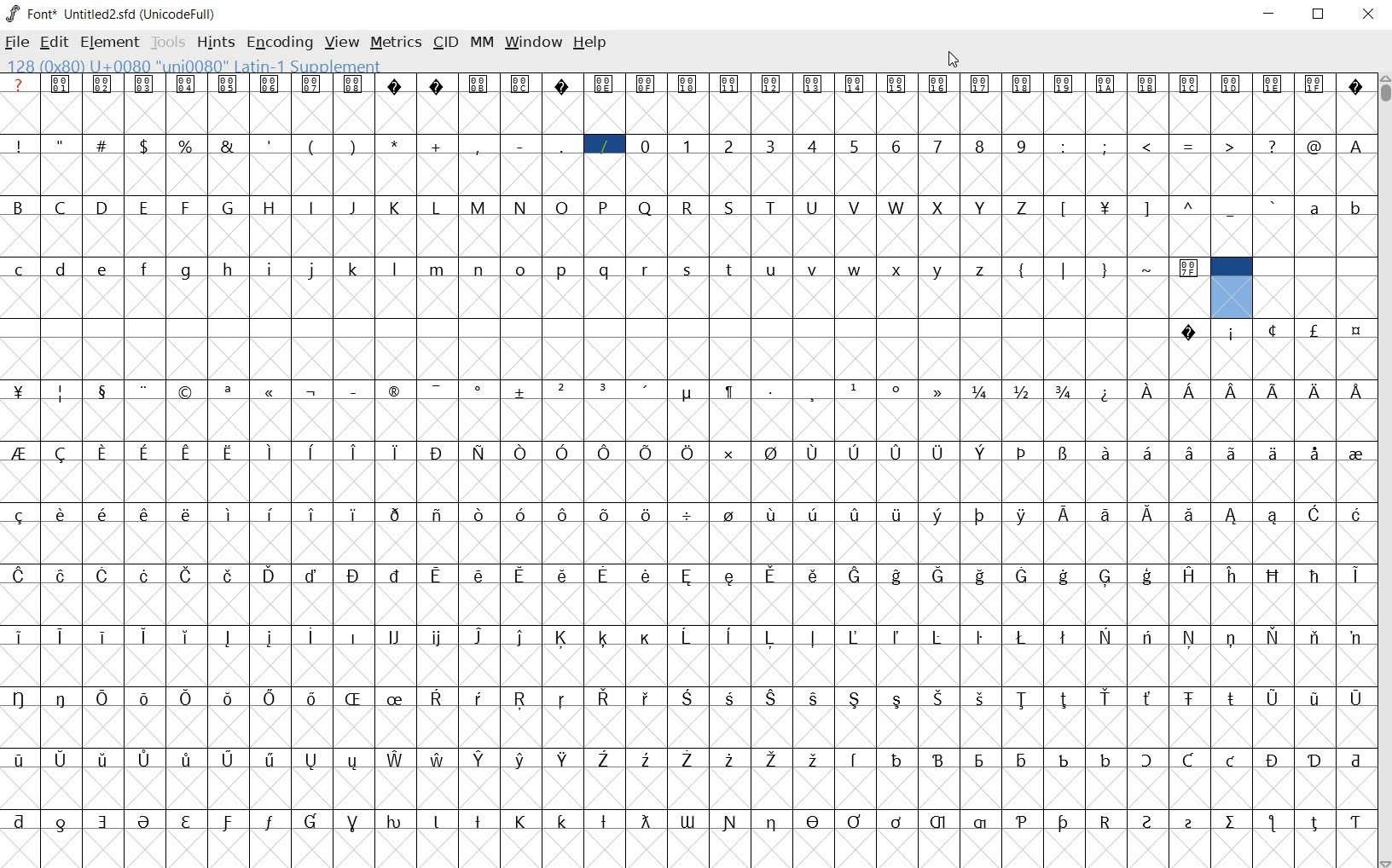 The image size is (1392, 868). I want to click on y, so click(940, 269).